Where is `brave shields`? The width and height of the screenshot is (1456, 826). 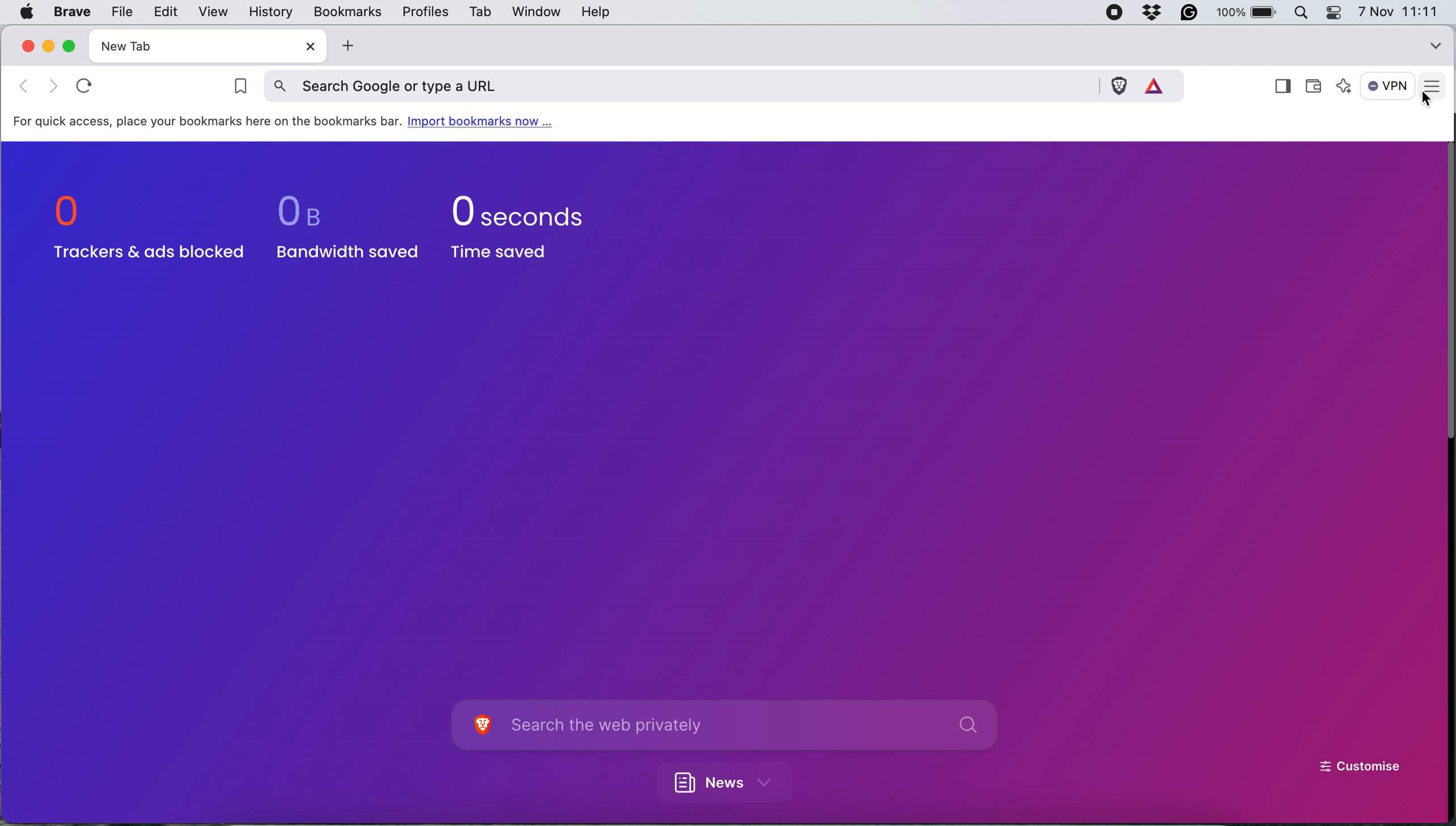 brave shields is located at coordinates (1119, 85).